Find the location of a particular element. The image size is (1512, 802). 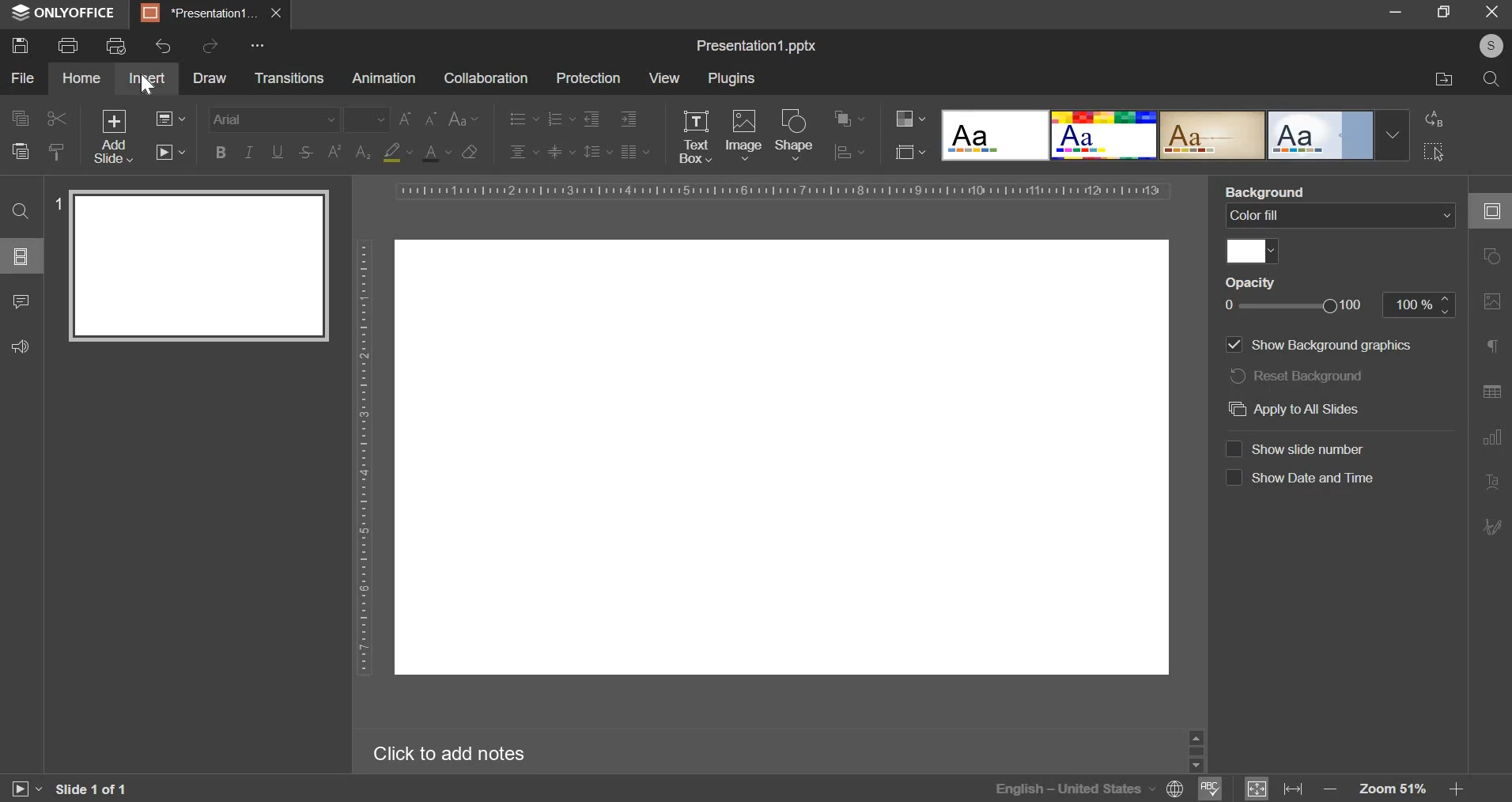

zoom level is located at coordinates (1394, 789).